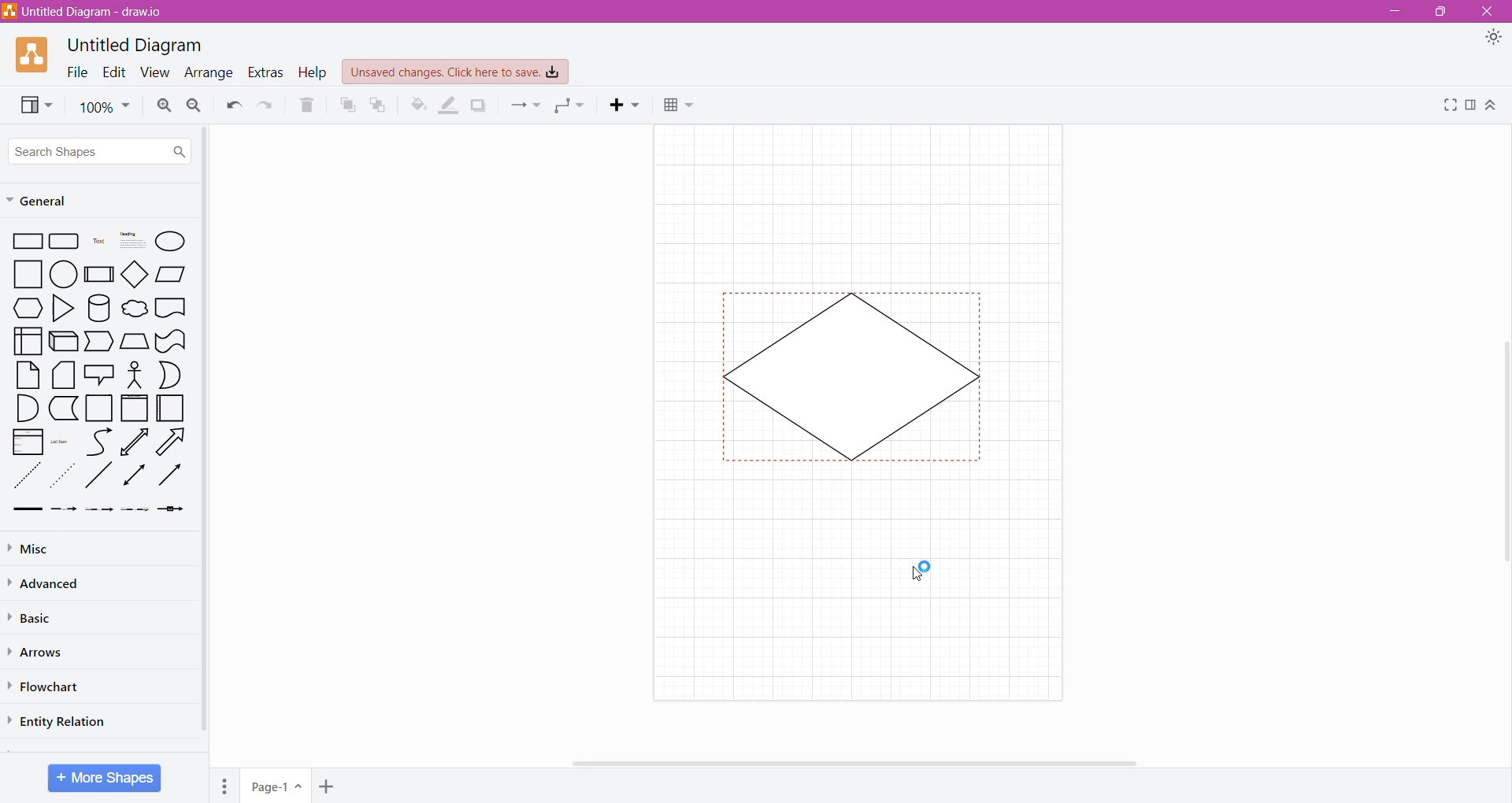 This screenshot has height=803, width=1512. I want to click on Fill Color, so click(417, 105).